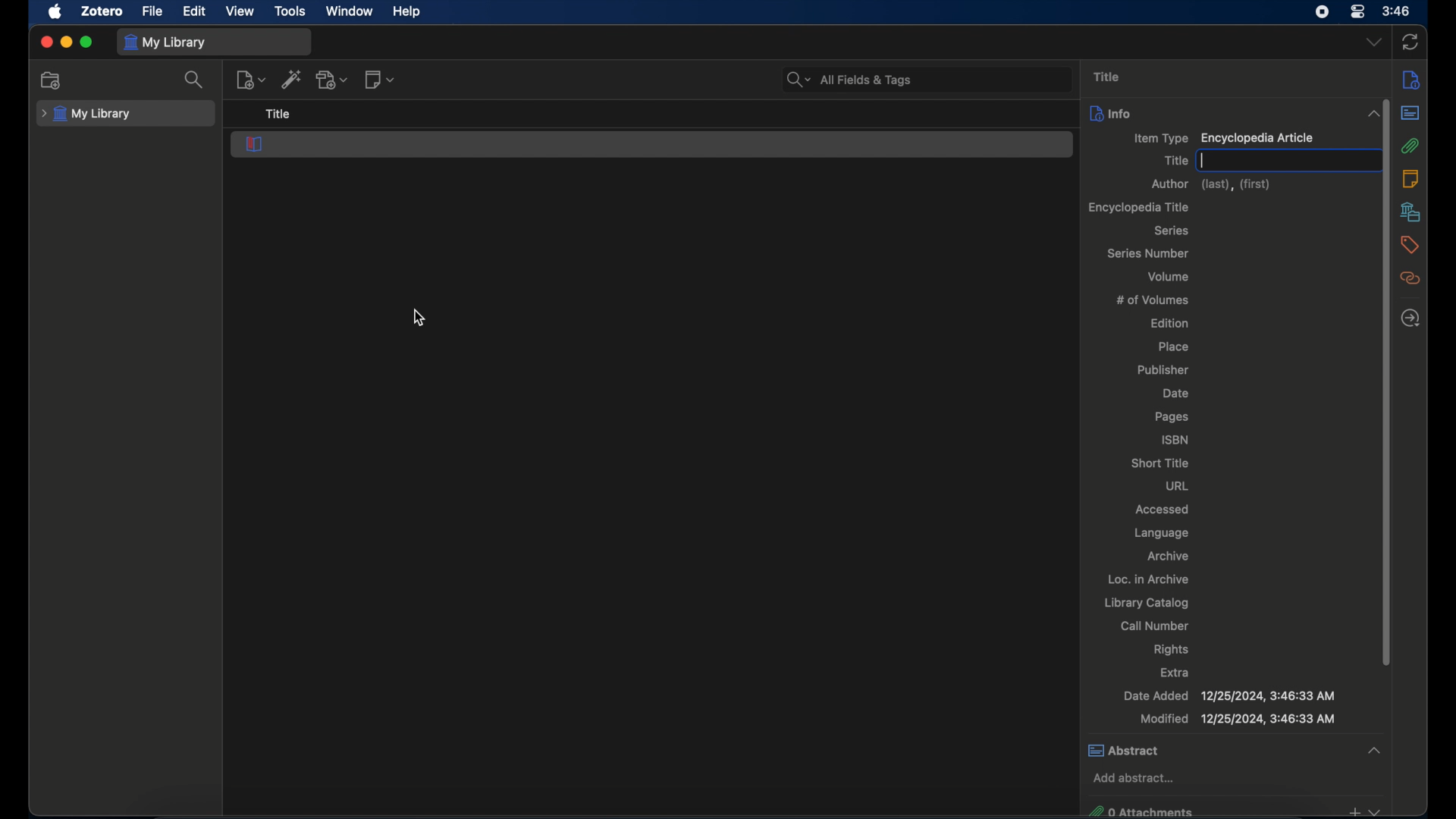 This screenshot has height=819, width=1456. Describe the element at coordinates (1106, 77) in the screenshot. I see `title` at that location.